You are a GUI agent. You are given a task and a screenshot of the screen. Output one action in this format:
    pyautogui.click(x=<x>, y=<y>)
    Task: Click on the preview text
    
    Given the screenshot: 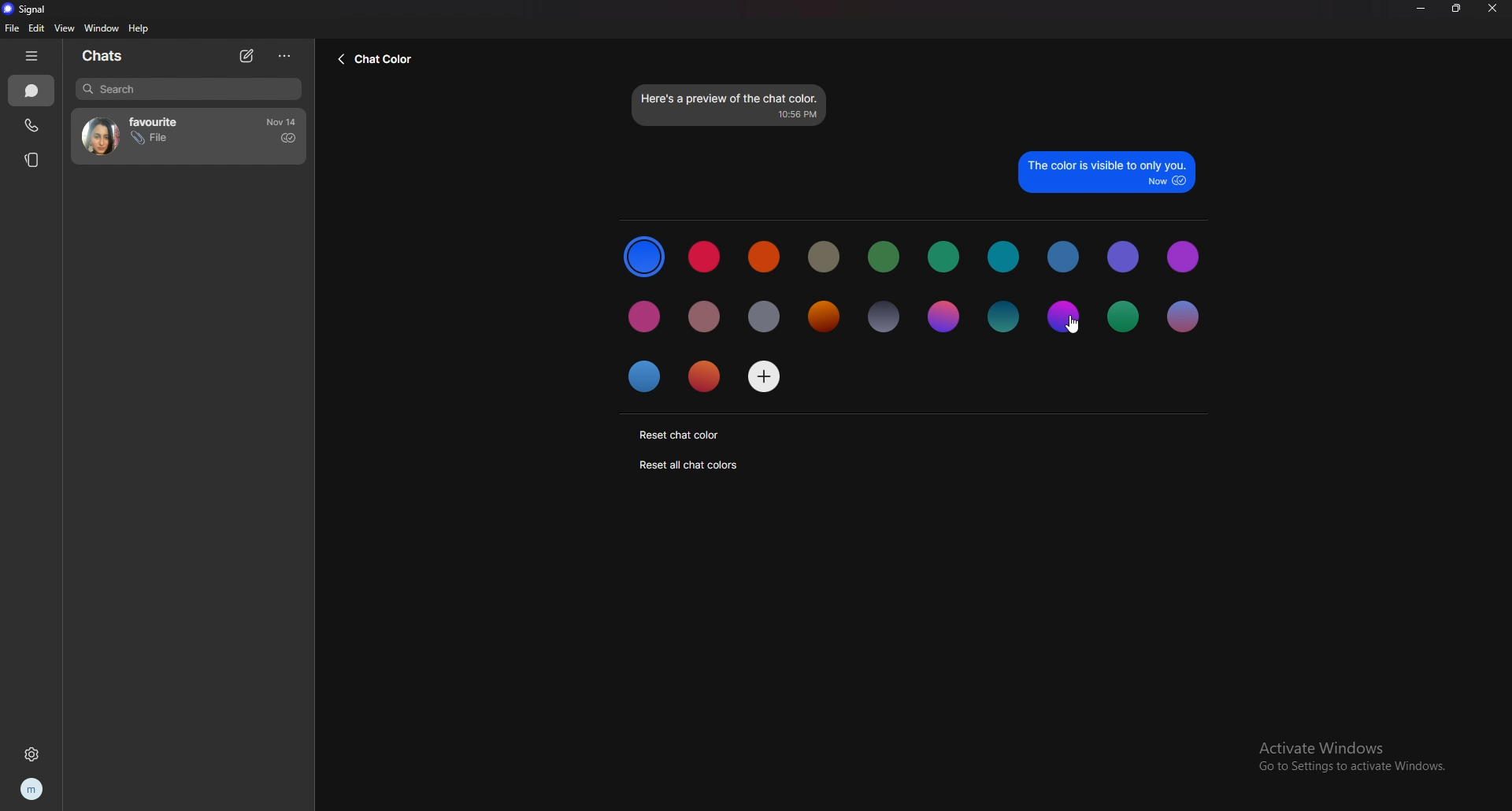 What is the action you would take?
    pyautogui.click(x=1107, y=172)
    